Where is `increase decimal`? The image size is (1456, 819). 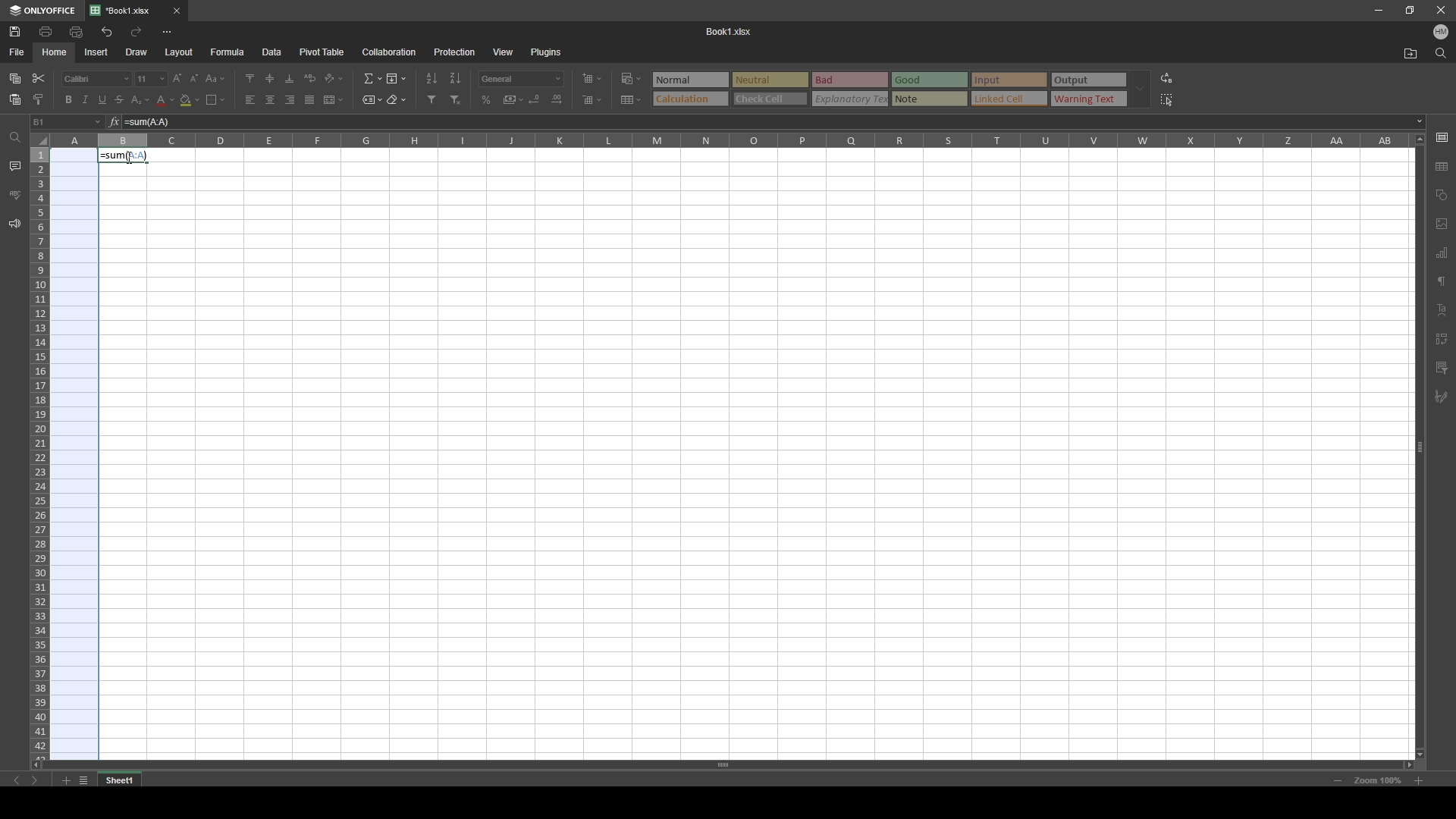 increase decimal is located at coordinates (557, 99).